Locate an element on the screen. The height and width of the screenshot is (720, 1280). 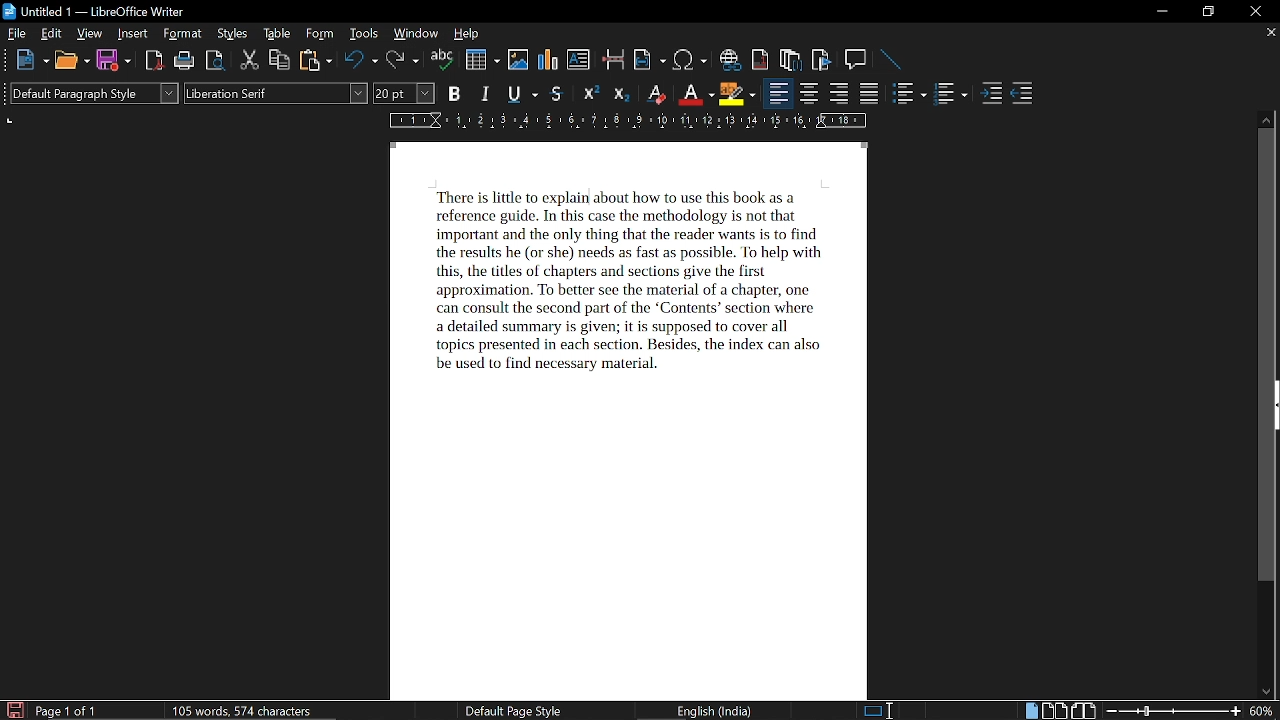
highlight is located at coordinates (736, 94).